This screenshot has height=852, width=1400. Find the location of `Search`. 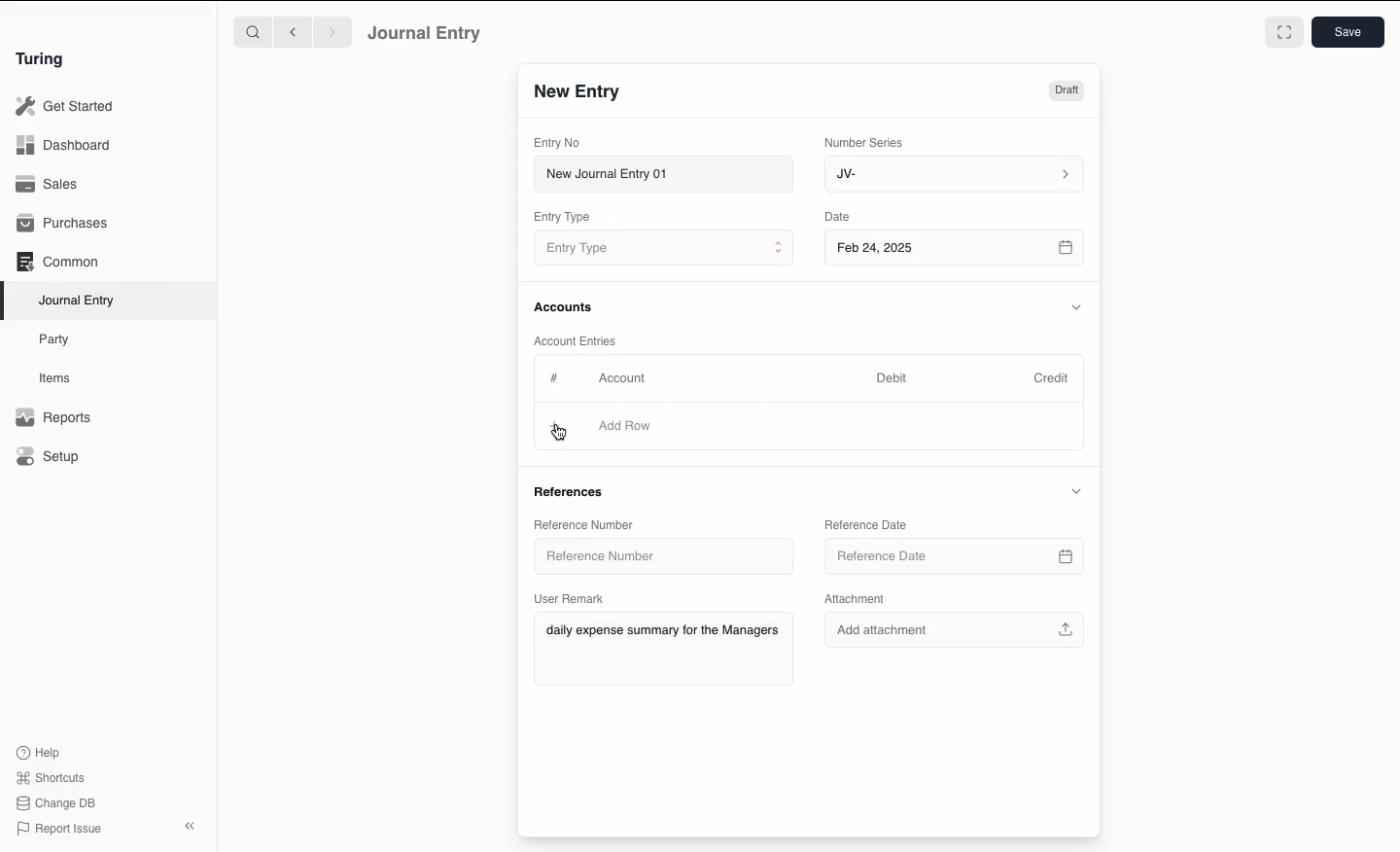

Search is located at coordinates (252, 31).